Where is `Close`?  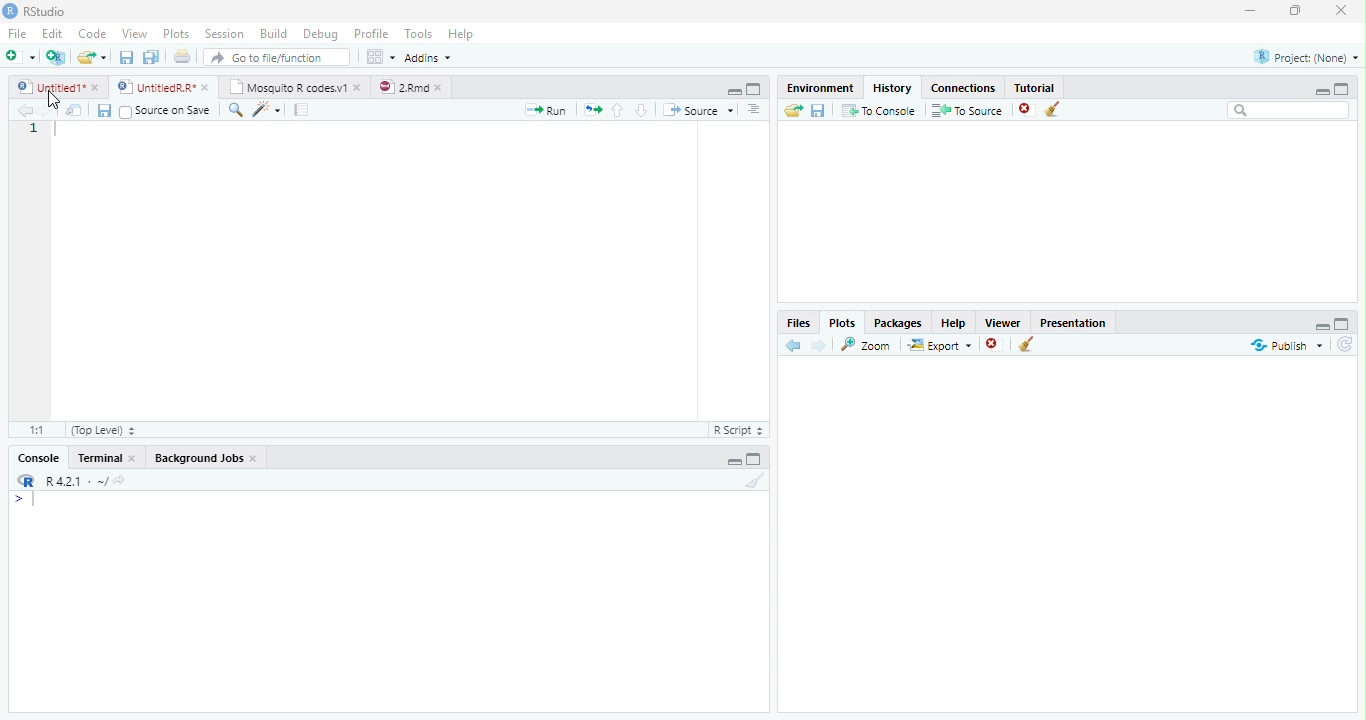 Close is located at coordinates (1343, 11).